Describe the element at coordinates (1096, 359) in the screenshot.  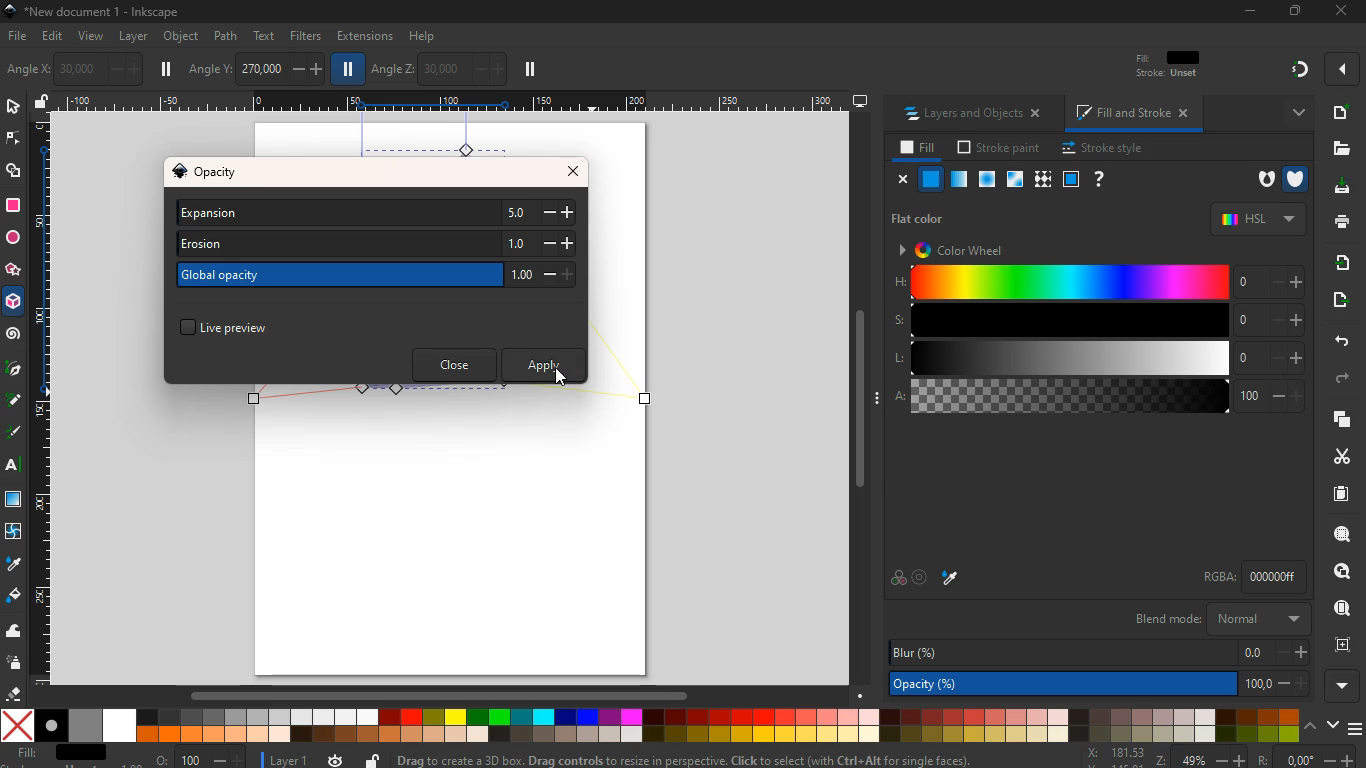
I see `l` at that location.